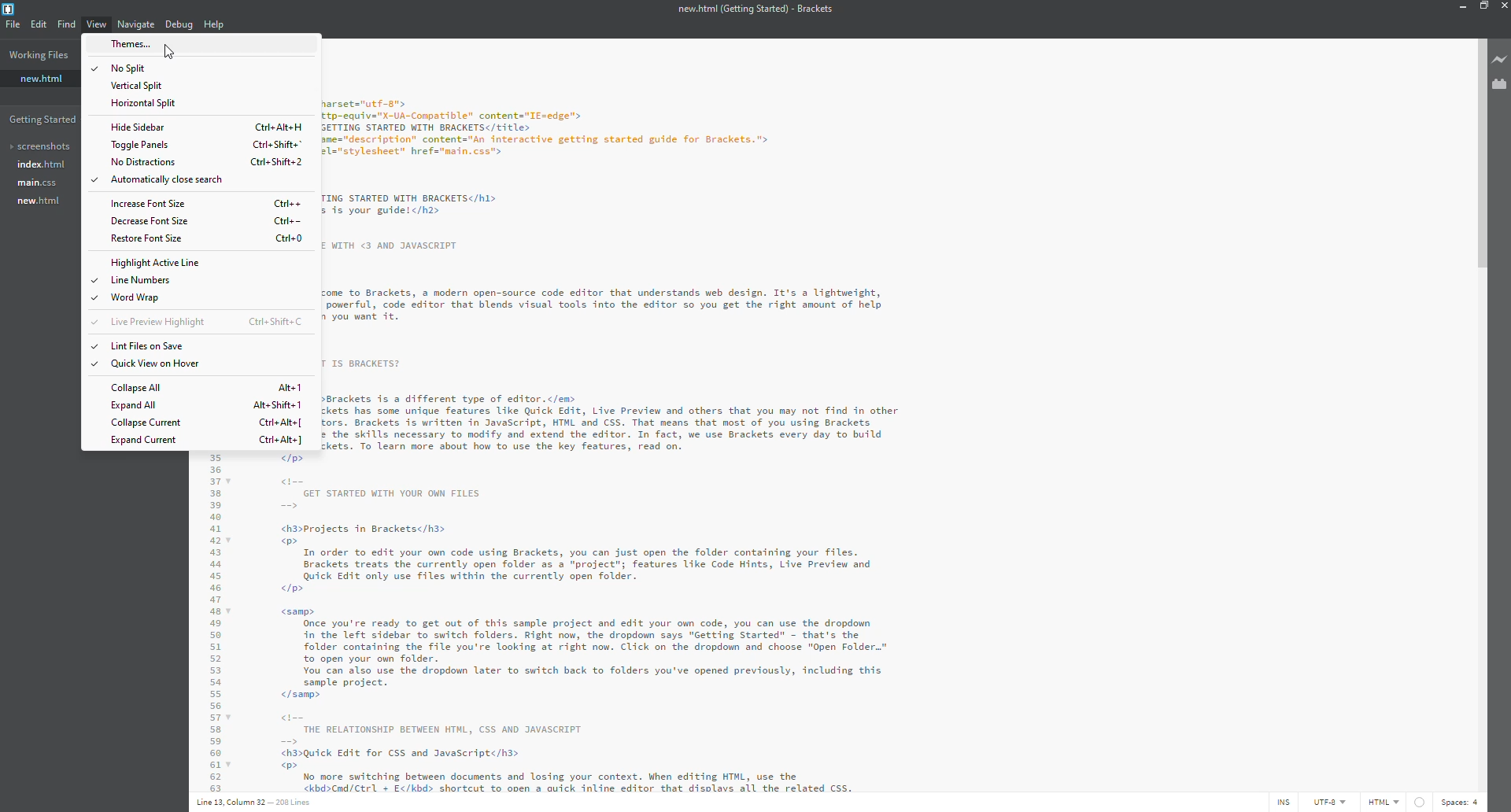 The image size is (1511, 812). I want to click on highlight active lines, so click(157, 262).